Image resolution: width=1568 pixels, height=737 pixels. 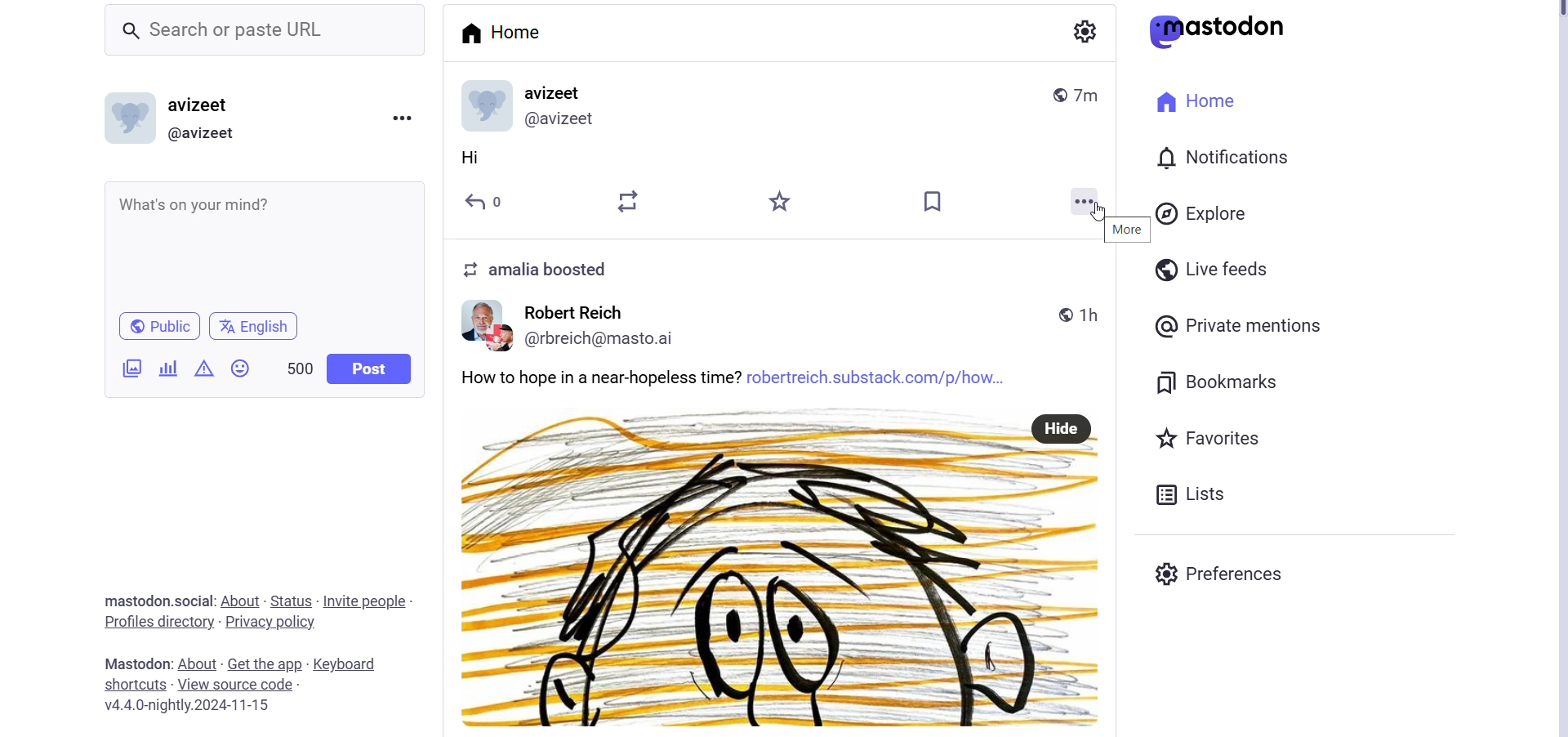 What do you see at coordinates (1240, 326) in the screenshot?
I see `Private Mentions` at bounding box center [1240, 326].